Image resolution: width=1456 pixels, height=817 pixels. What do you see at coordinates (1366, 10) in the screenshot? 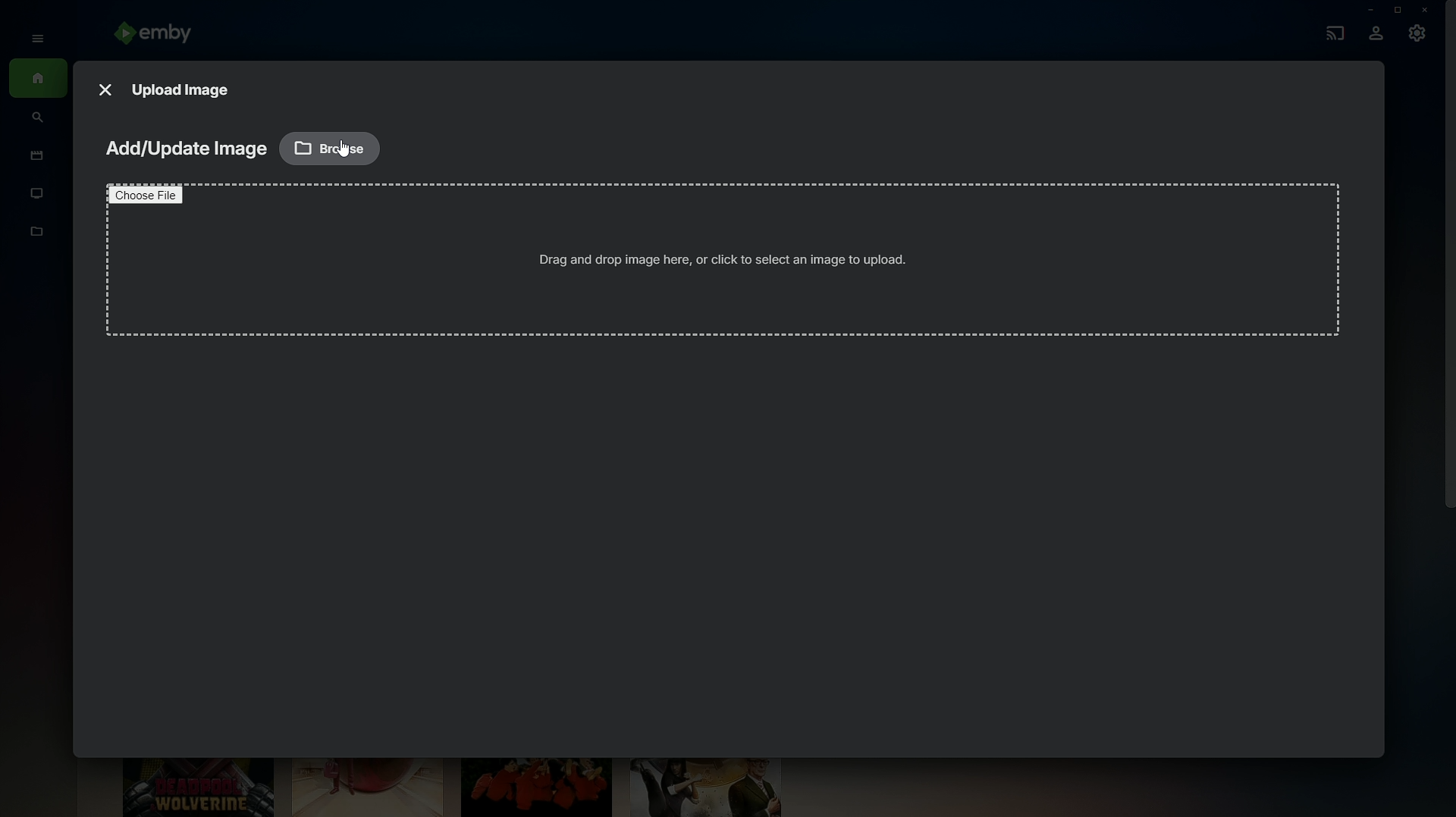
I see `Minimize` at bounding box center [1366, 10].